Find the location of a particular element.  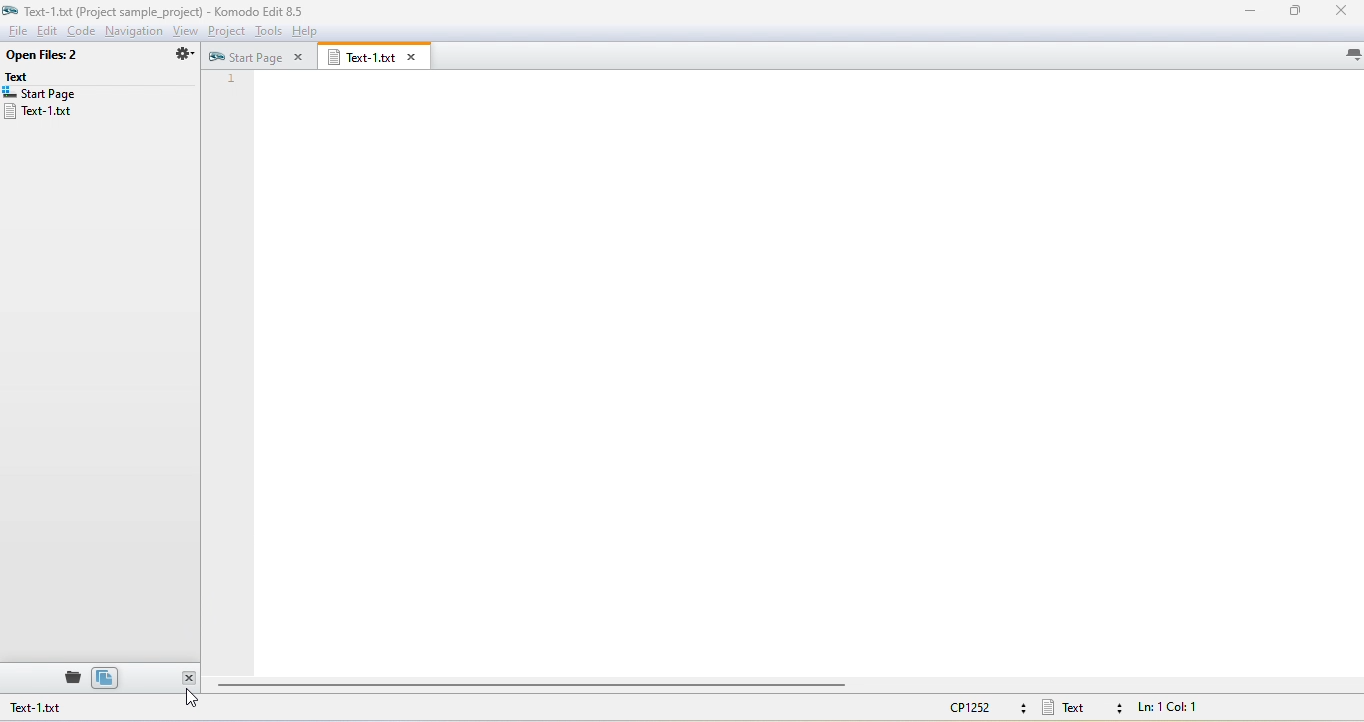

text-1.txt is located at coordinates (49, 112).